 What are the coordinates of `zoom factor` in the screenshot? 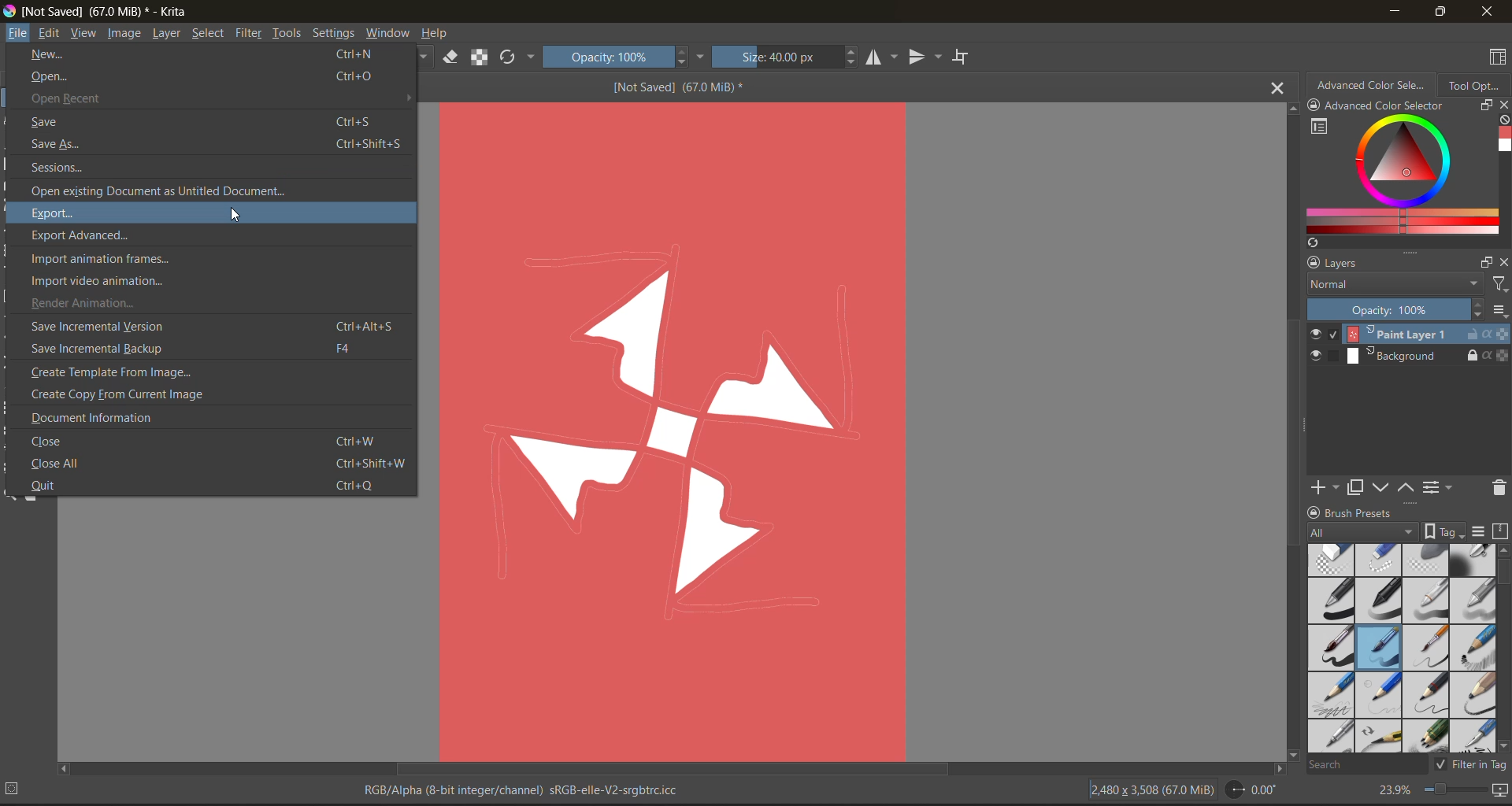 It's located at (1396, 790).